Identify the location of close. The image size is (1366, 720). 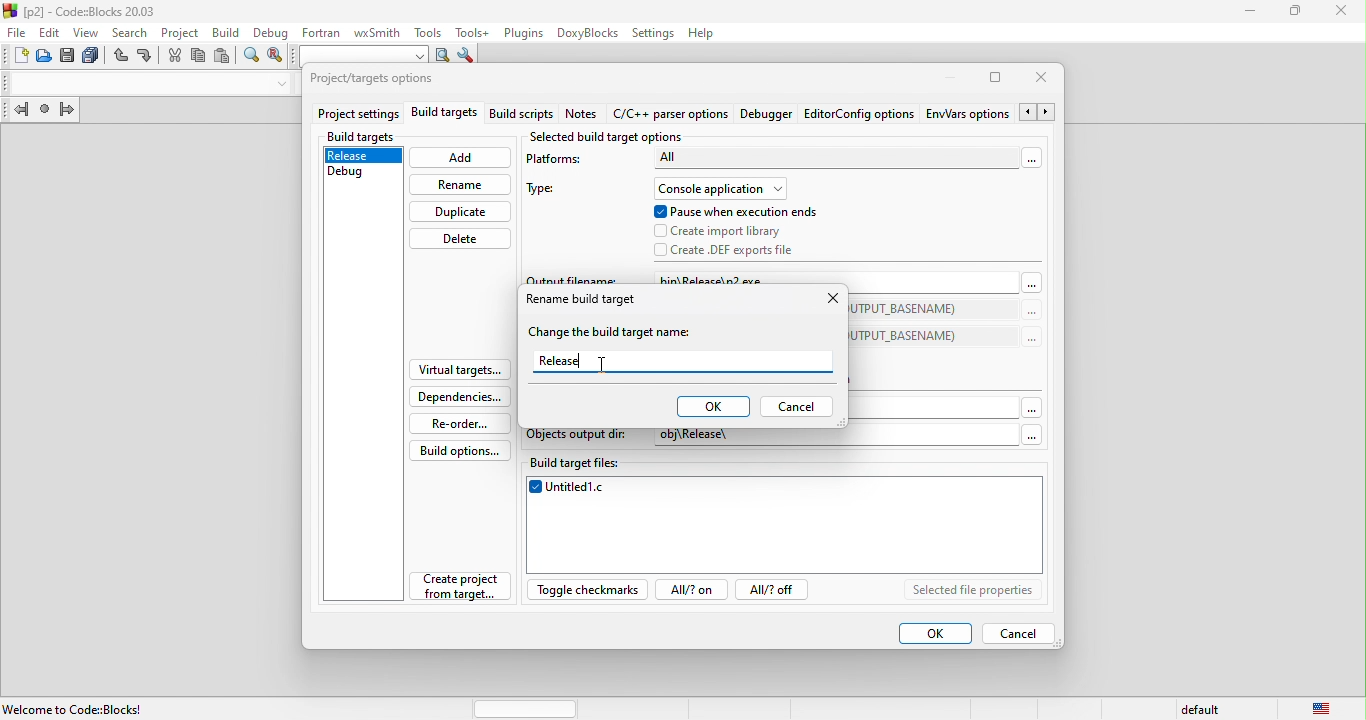
(1339, 12).